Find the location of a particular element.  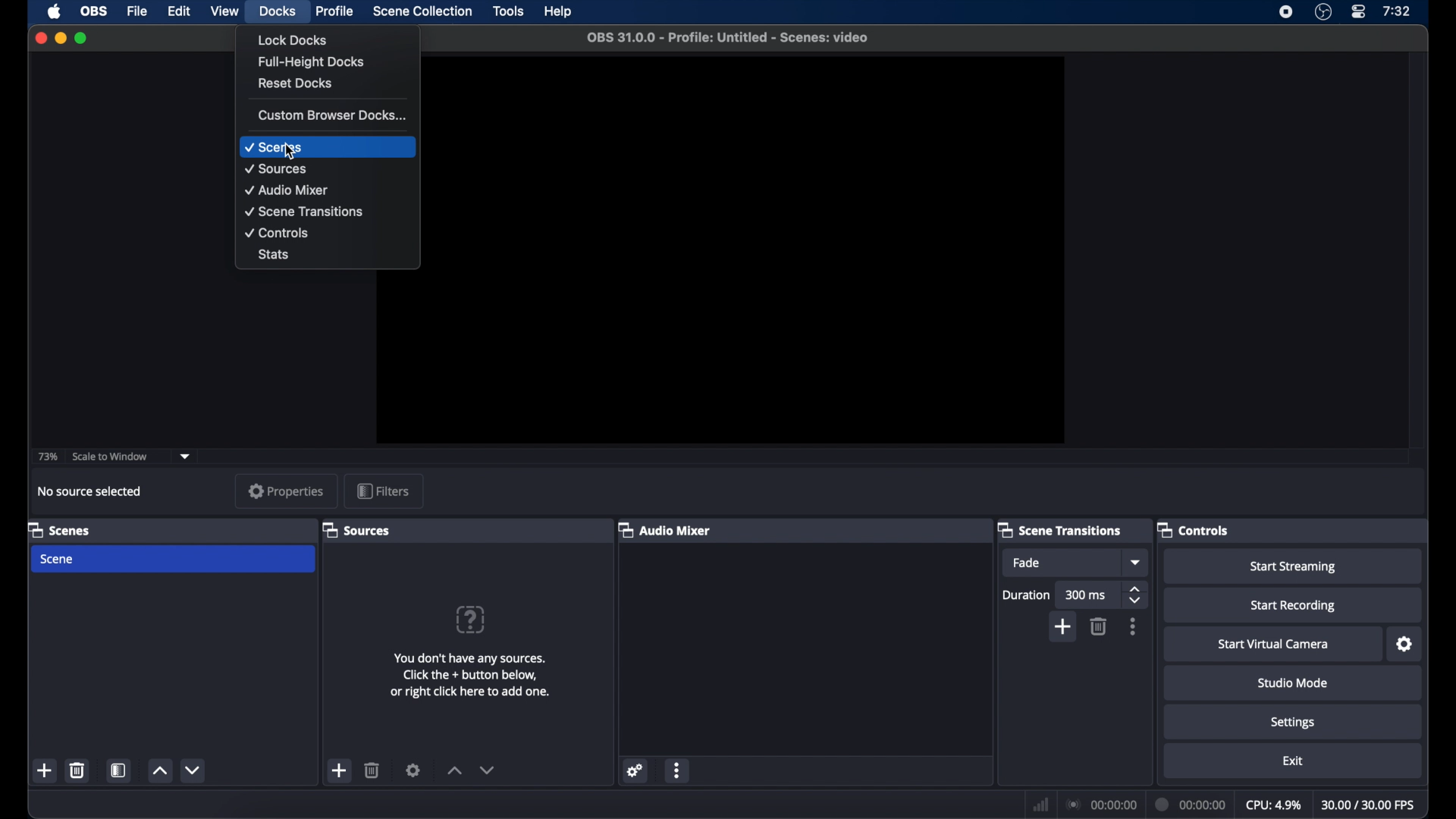

300 ms is located at coordinates (1086, 595).